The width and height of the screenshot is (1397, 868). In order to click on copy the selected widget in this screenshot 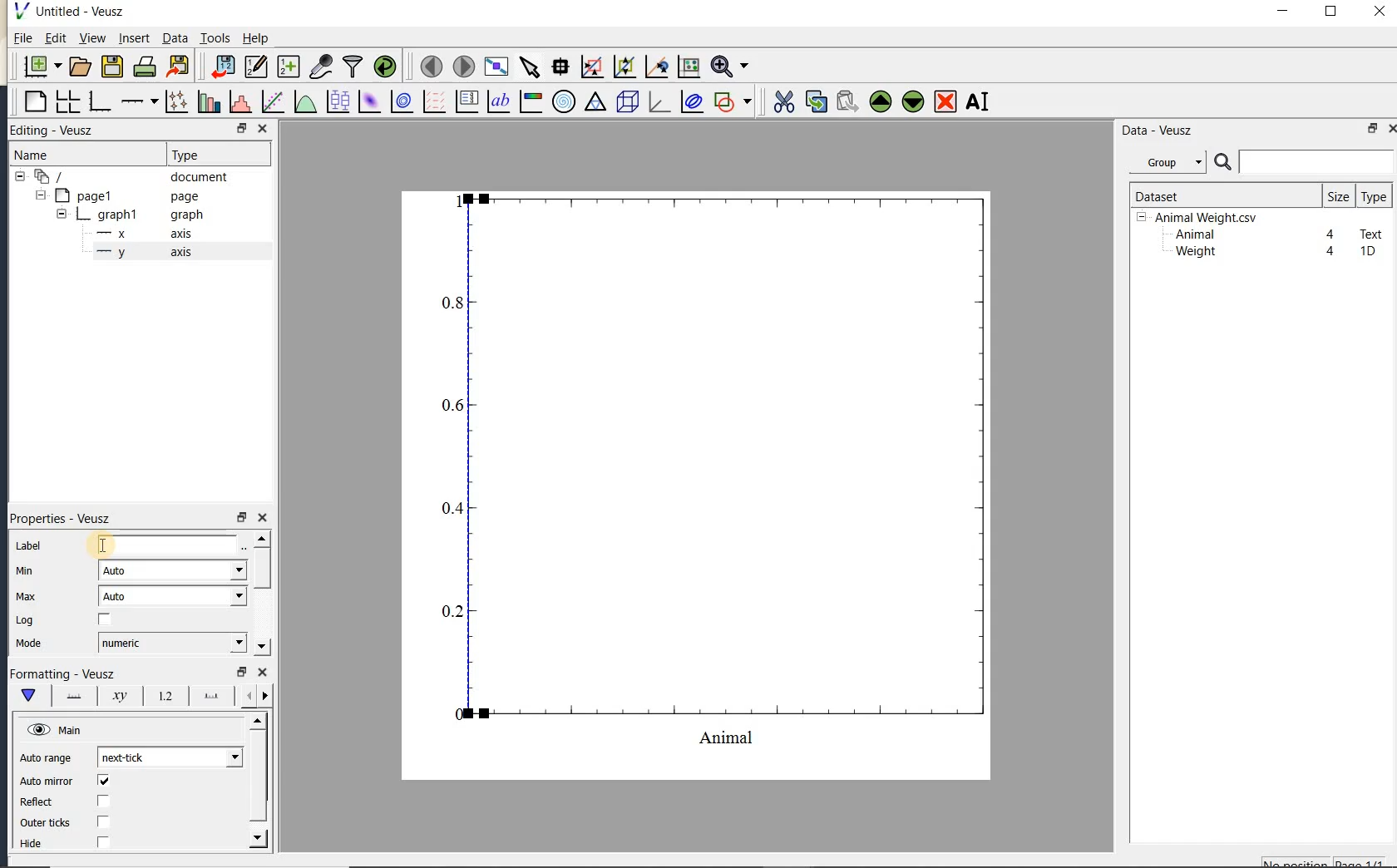, I will do `click(814, 101)`.